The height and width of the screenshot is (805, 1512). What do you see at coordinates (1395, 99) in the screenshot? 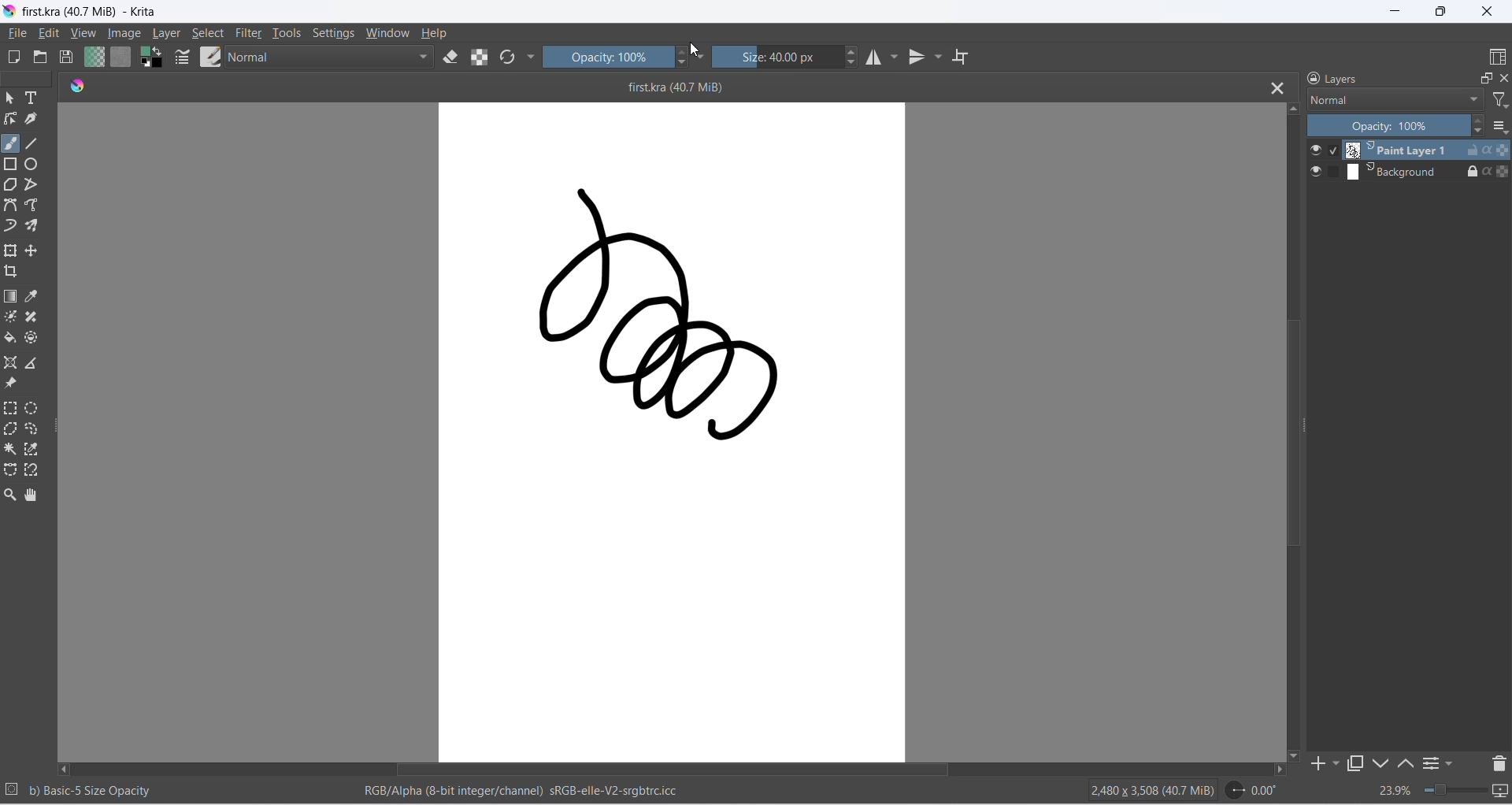
I see `layer type` at bounding box center [1395, 99].